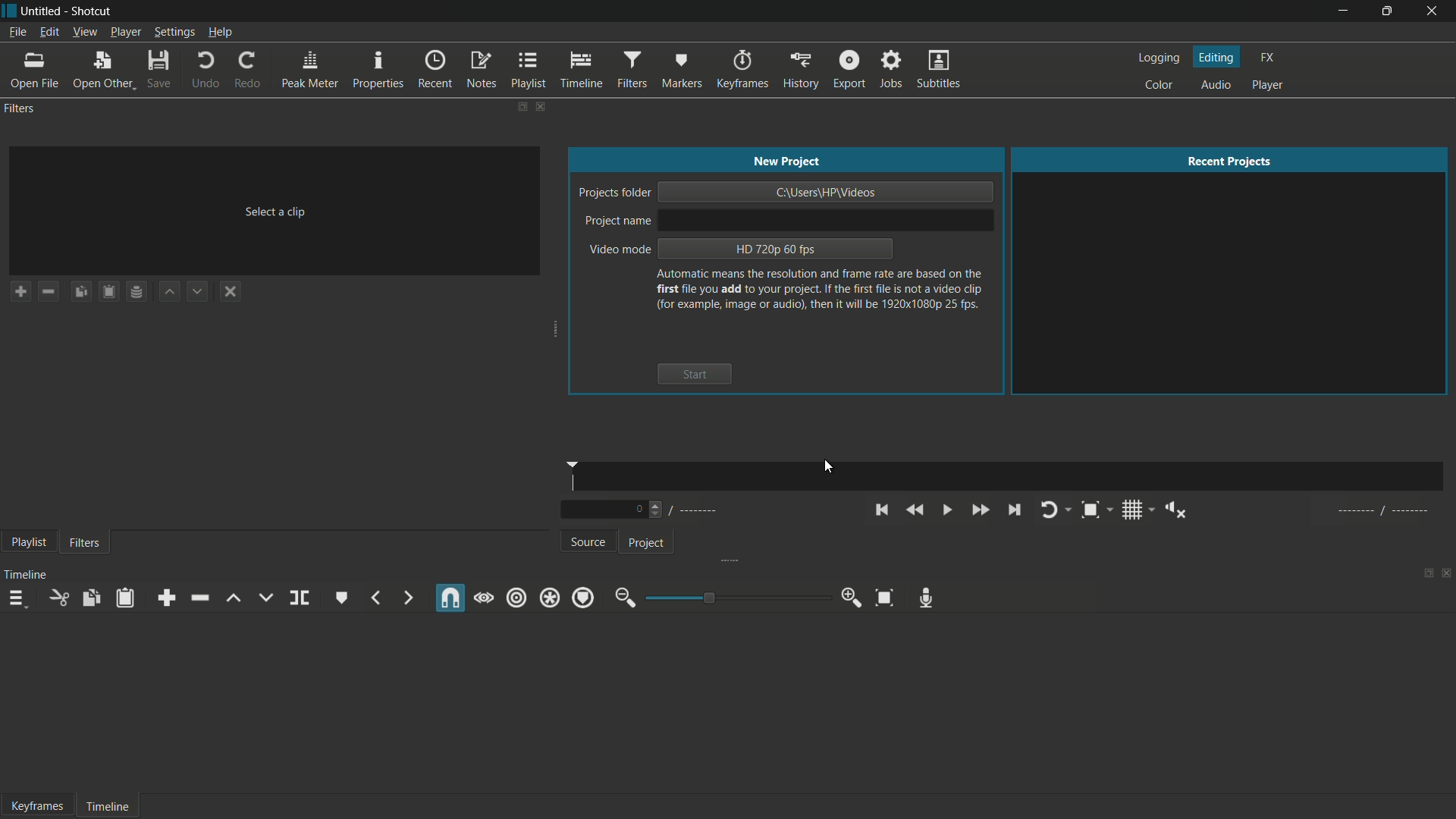  Describe the element at coordinates (1268, 85) in the screenshot. I see `player` at that location.